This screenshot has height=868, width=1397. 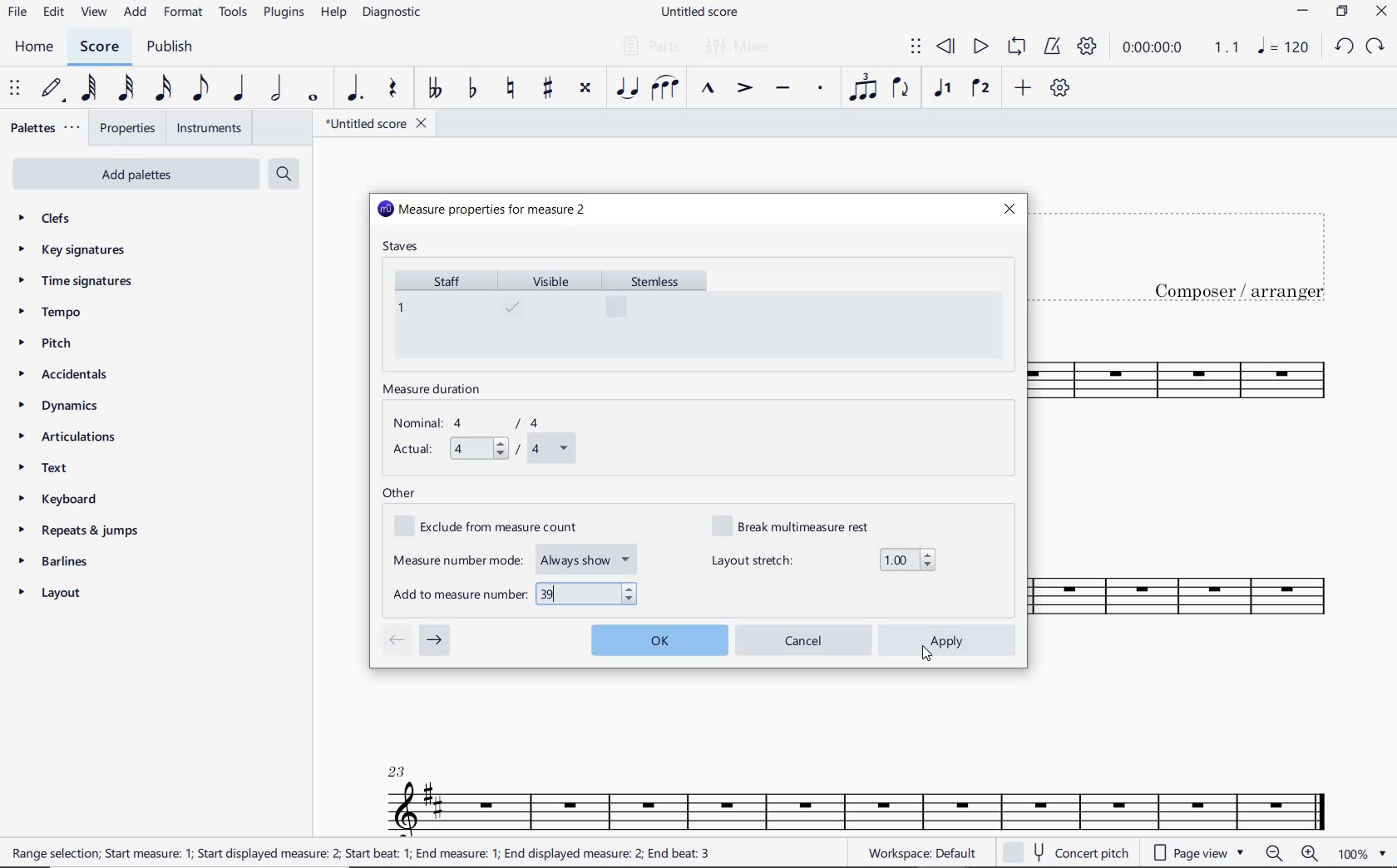 I want to click on SELECET TO MOVE, so click(x=15, y=90).